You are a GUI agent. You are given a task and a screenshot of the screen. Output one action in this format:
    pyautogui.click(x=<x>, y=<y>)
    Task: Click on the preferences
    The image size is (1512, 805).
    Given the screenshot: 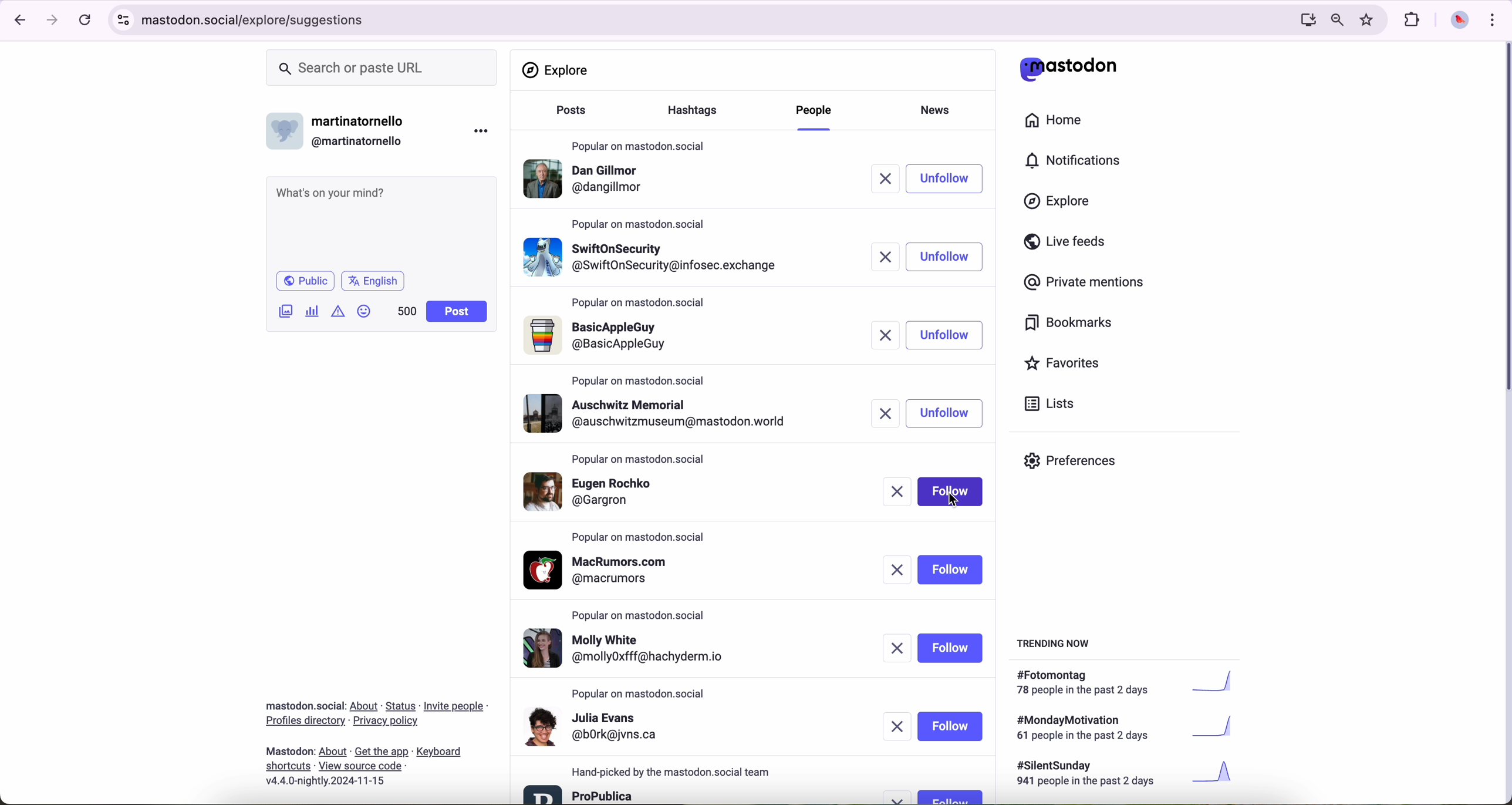 What is the action you would take?
    pyautogui.click(x=1079, y=465)
    